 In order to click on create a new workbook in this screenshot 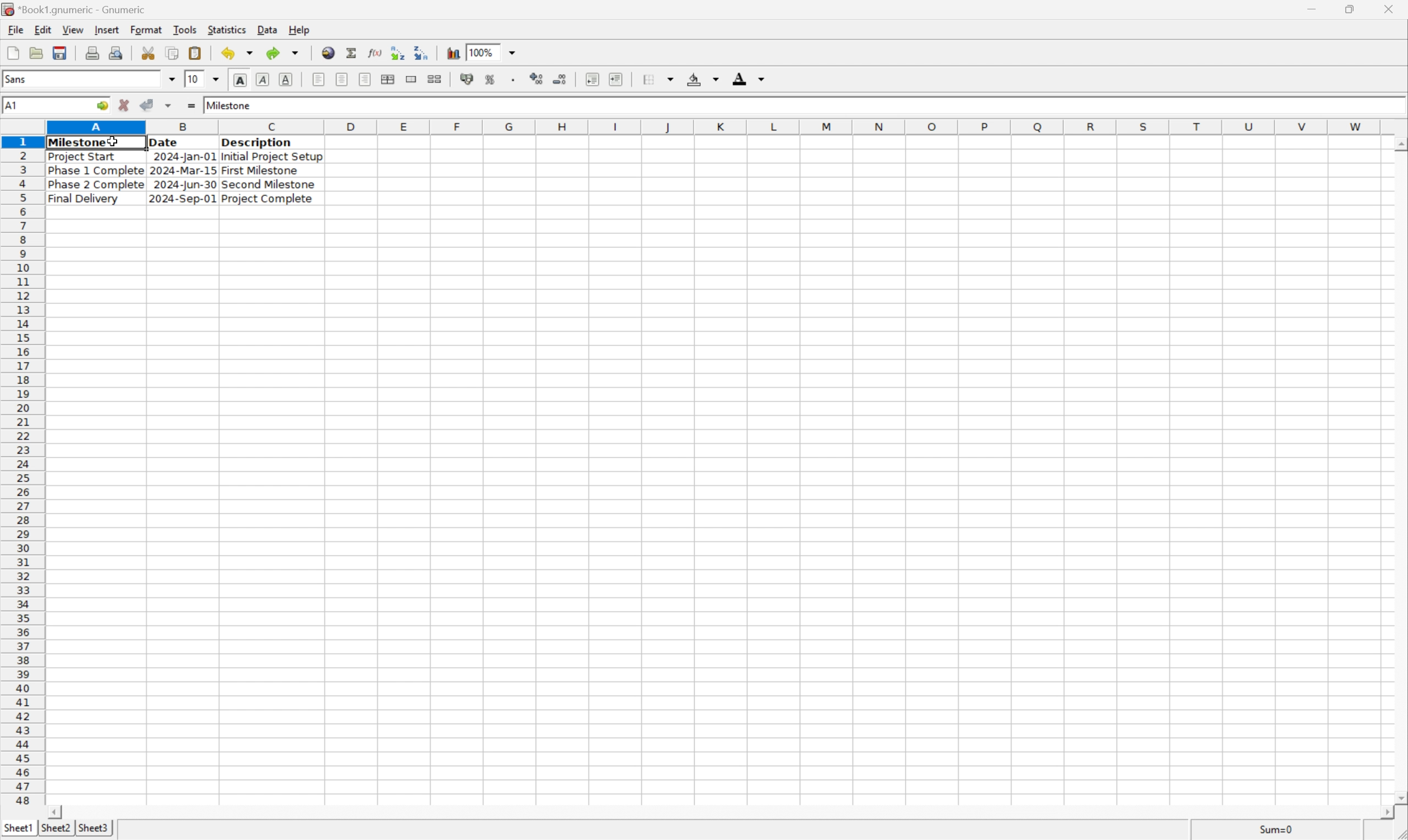, I will do `click(12, 54)`.